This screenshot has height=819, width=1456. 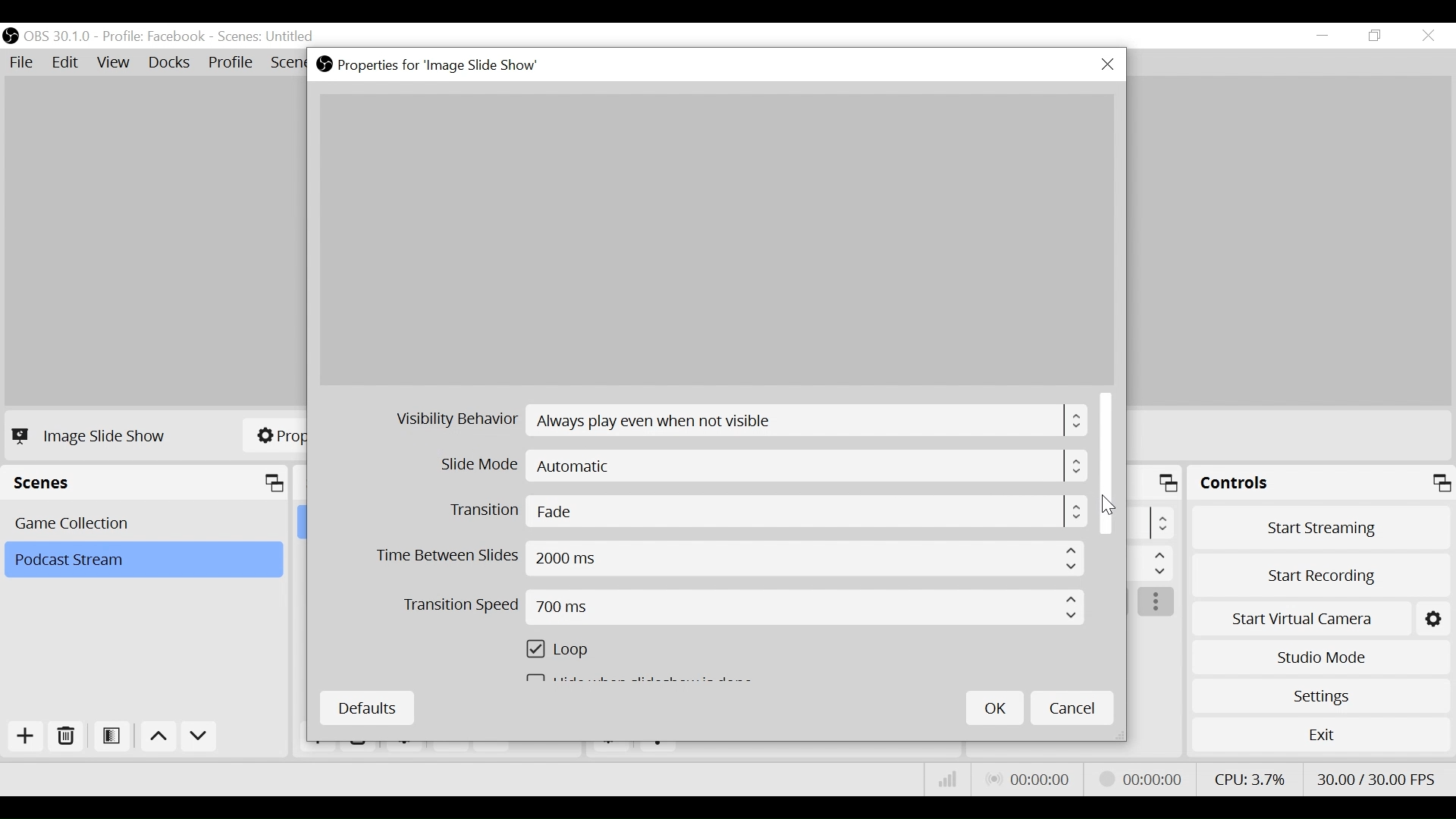 I want to click on Frame Per Second, so click(x=1376, y=776).